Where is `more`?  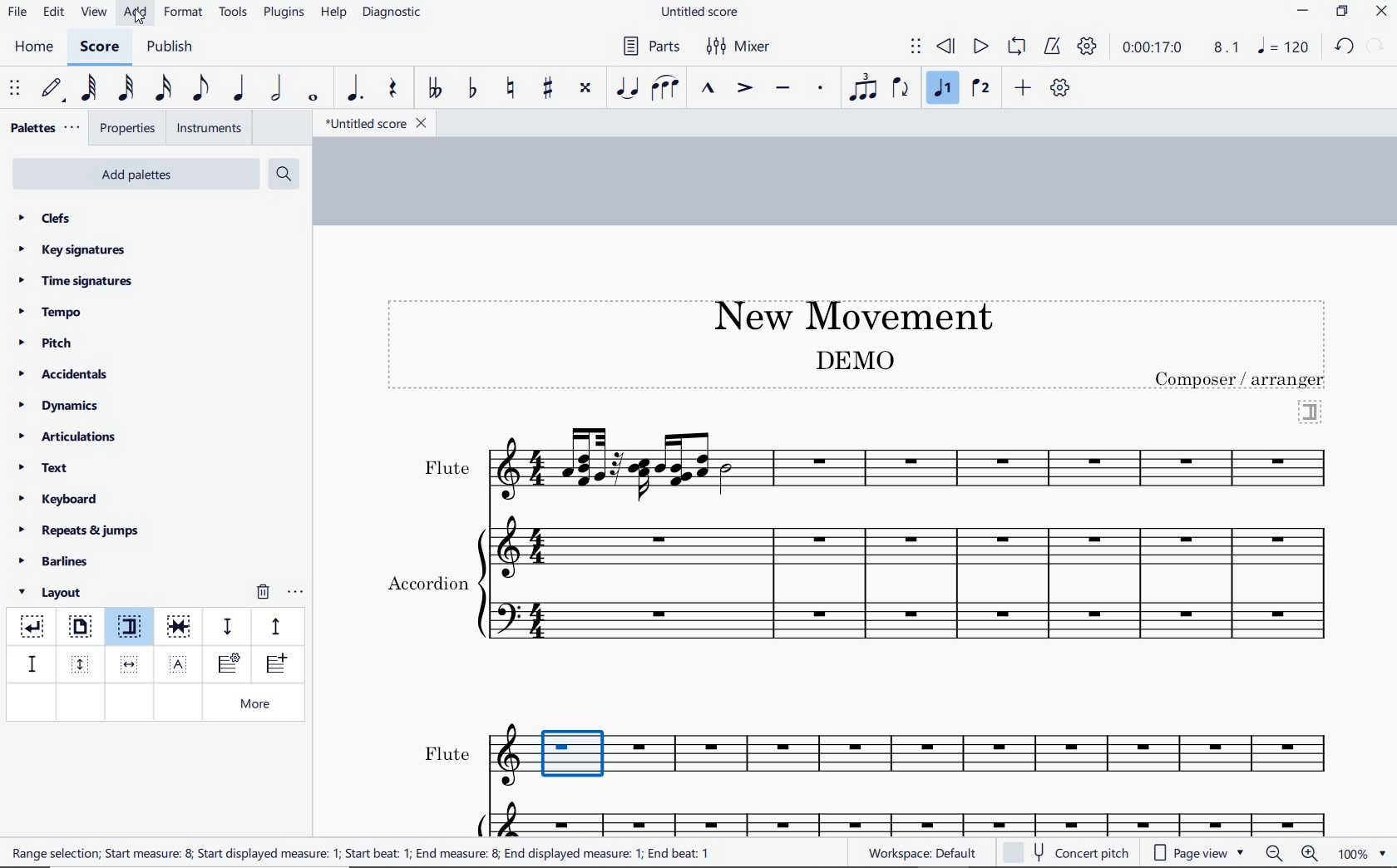 more is located at coordinates (259, 705).